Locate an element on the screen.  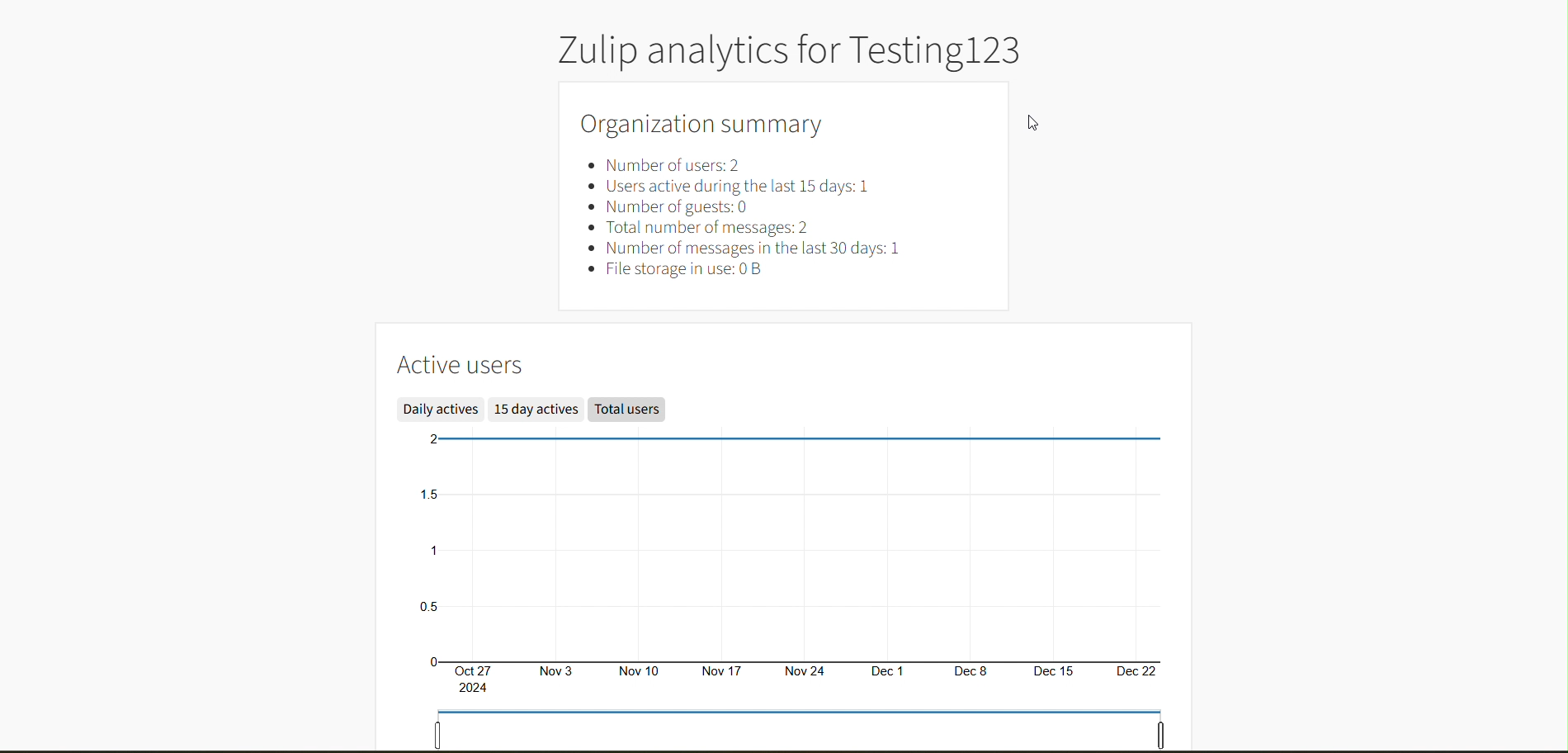
Number of guests: 0 is located at coordinates (672, 206).